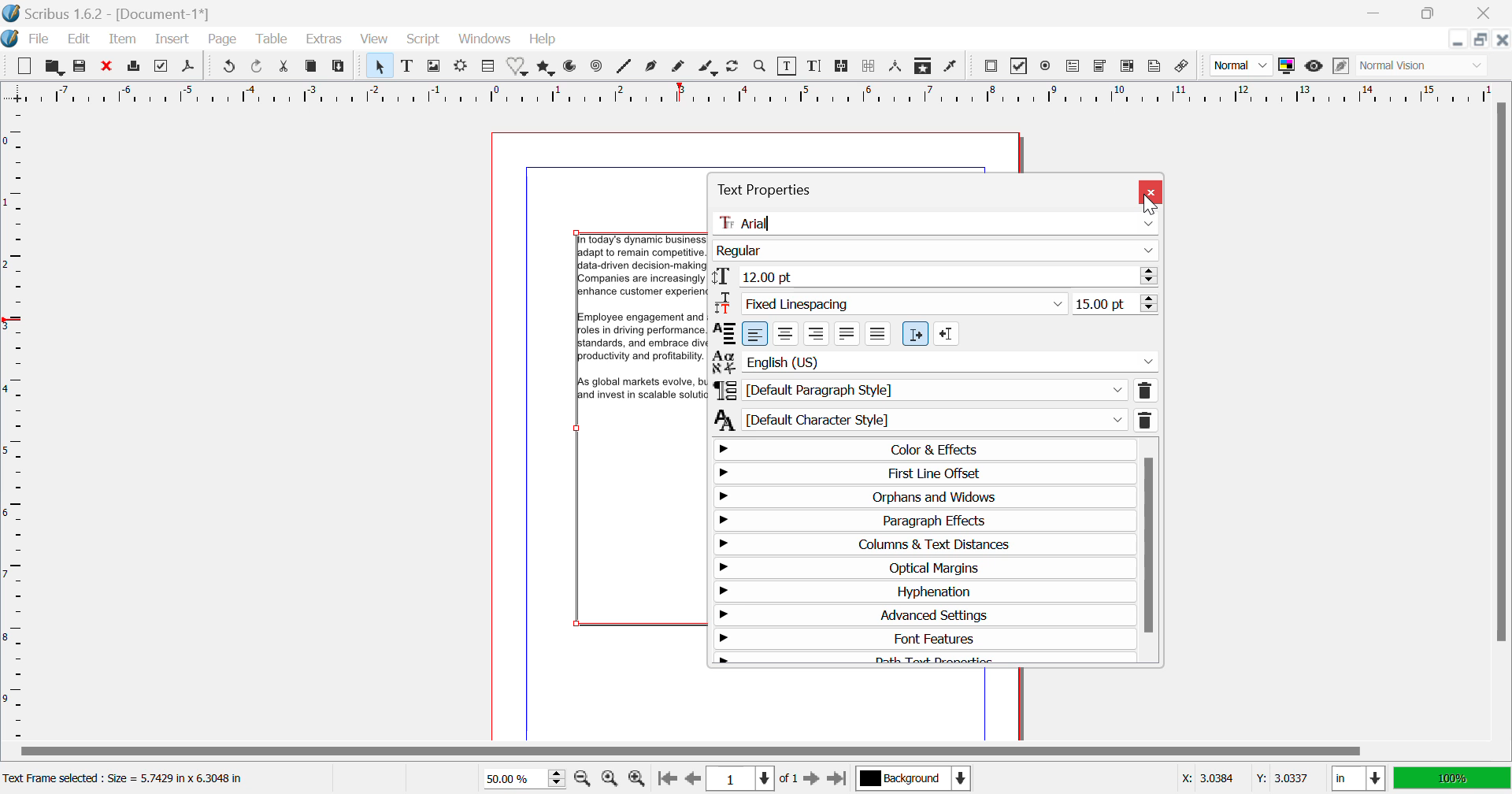 This screenshot has height=794, width=1512. I want to click on Bezier Curve, so click(650, 68).